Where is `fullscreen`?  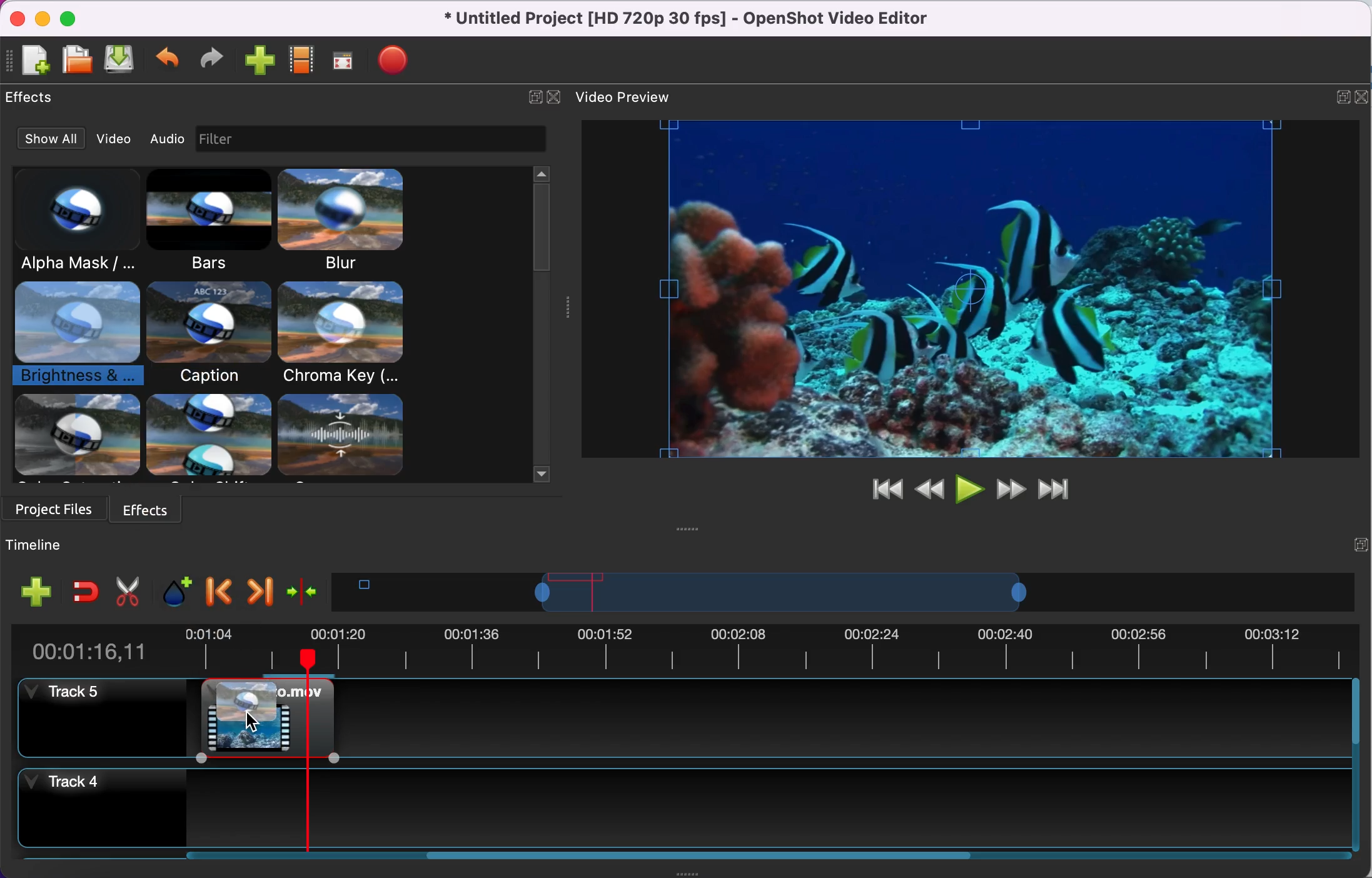 fullscreen is located at coordinates (341, 63).